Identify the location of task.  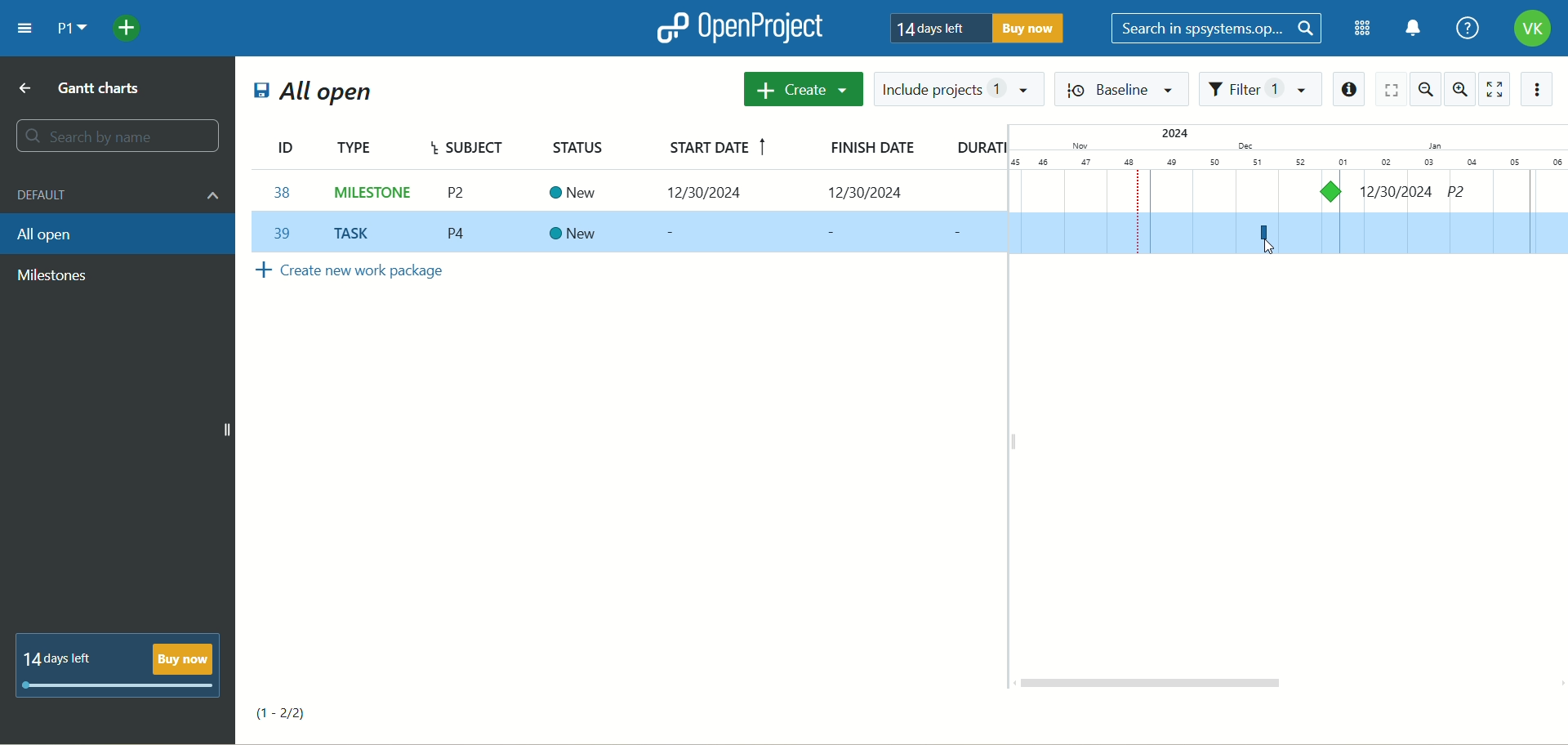
(1333, 190).